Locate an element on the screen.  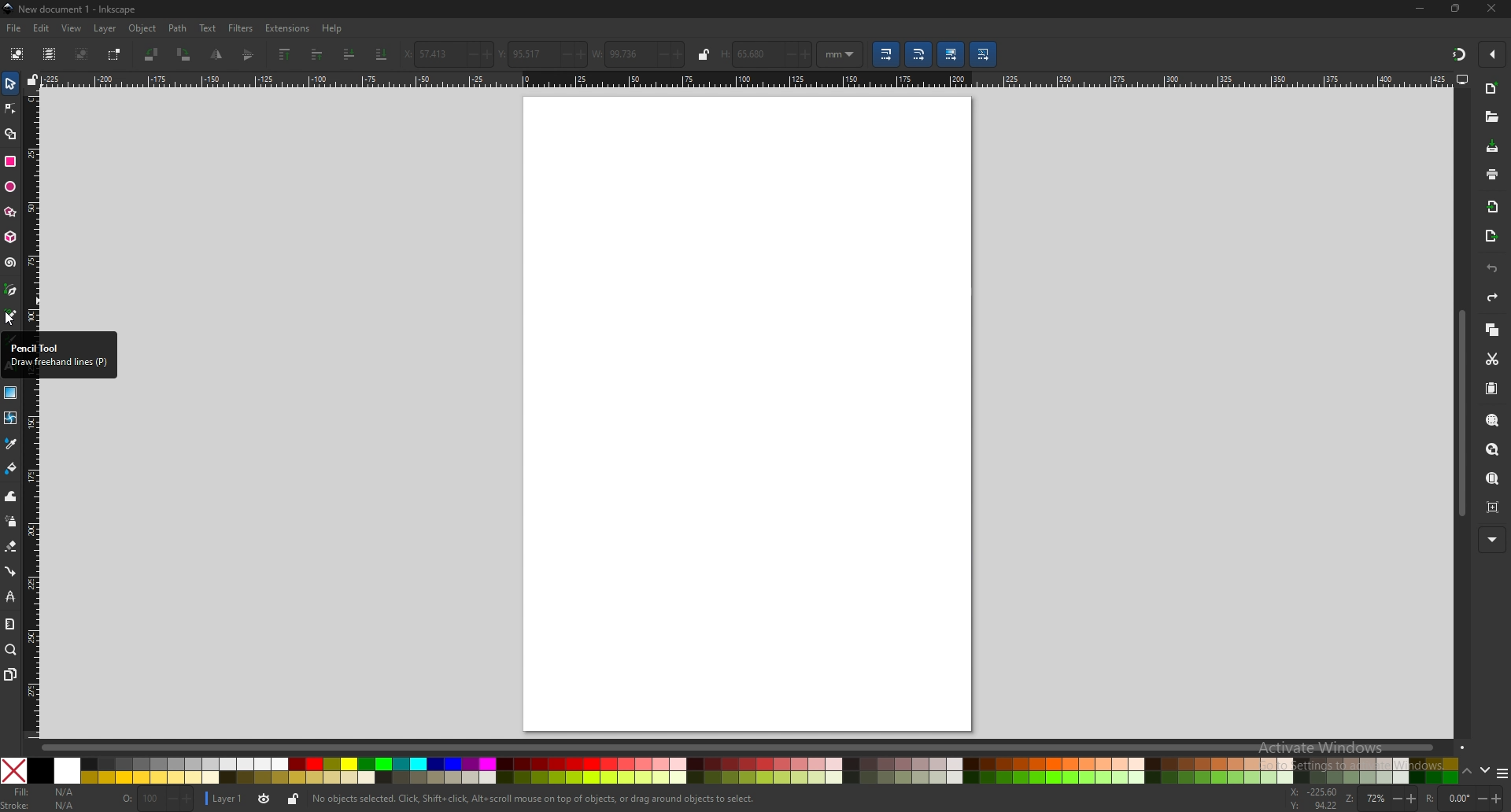
undo is located at coordinates (1492, 270).